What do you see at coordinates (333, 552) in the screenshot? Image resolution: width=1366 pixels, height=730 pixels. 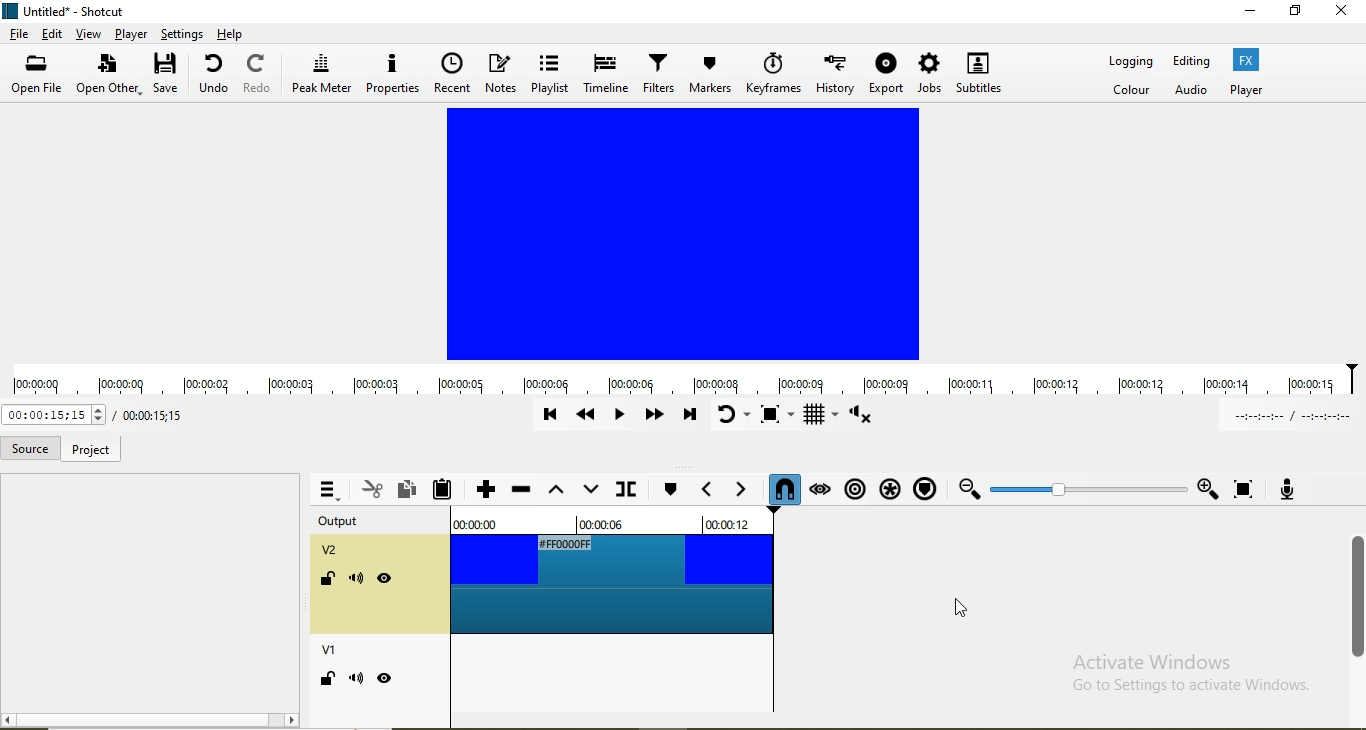 I see `v2` at bounding box center [333, 552].